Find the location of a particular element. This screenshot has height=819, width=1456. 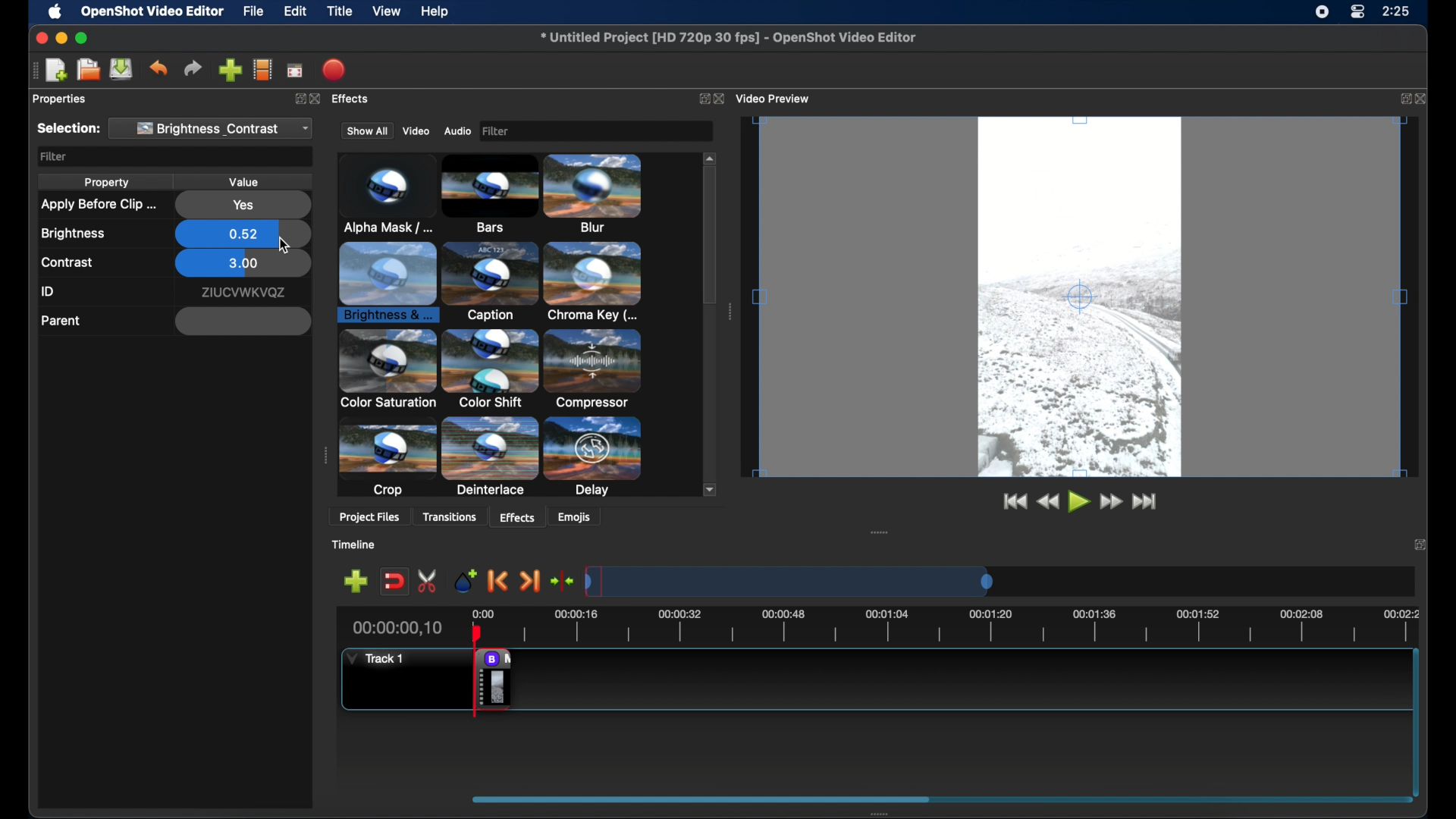

close is located at coordinates (38, 38).